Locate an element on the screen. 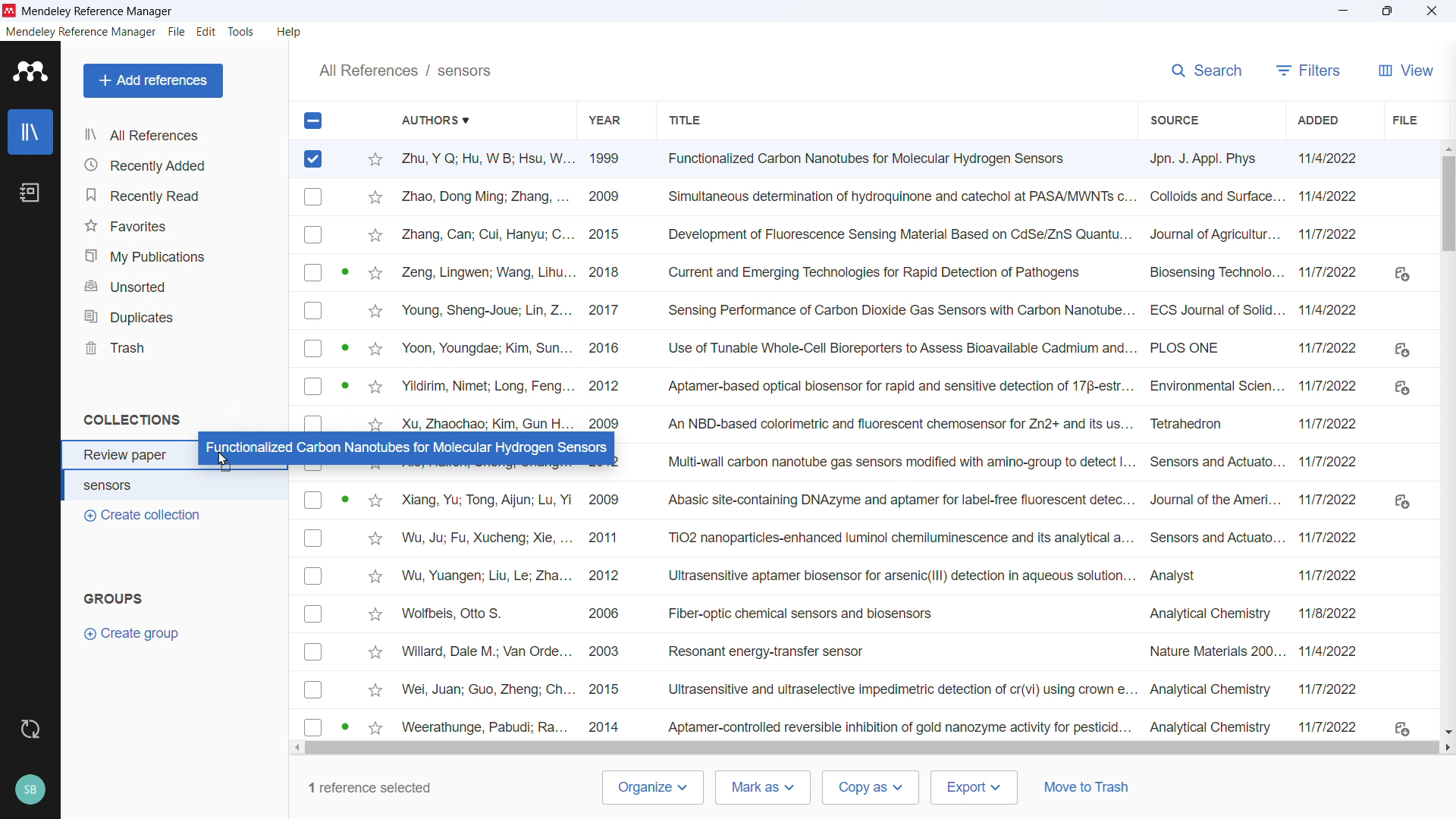 Image resolution: width=1456 pixels, height=819 pixels. Pdf available to download  is located at coordinates (1401, 499).